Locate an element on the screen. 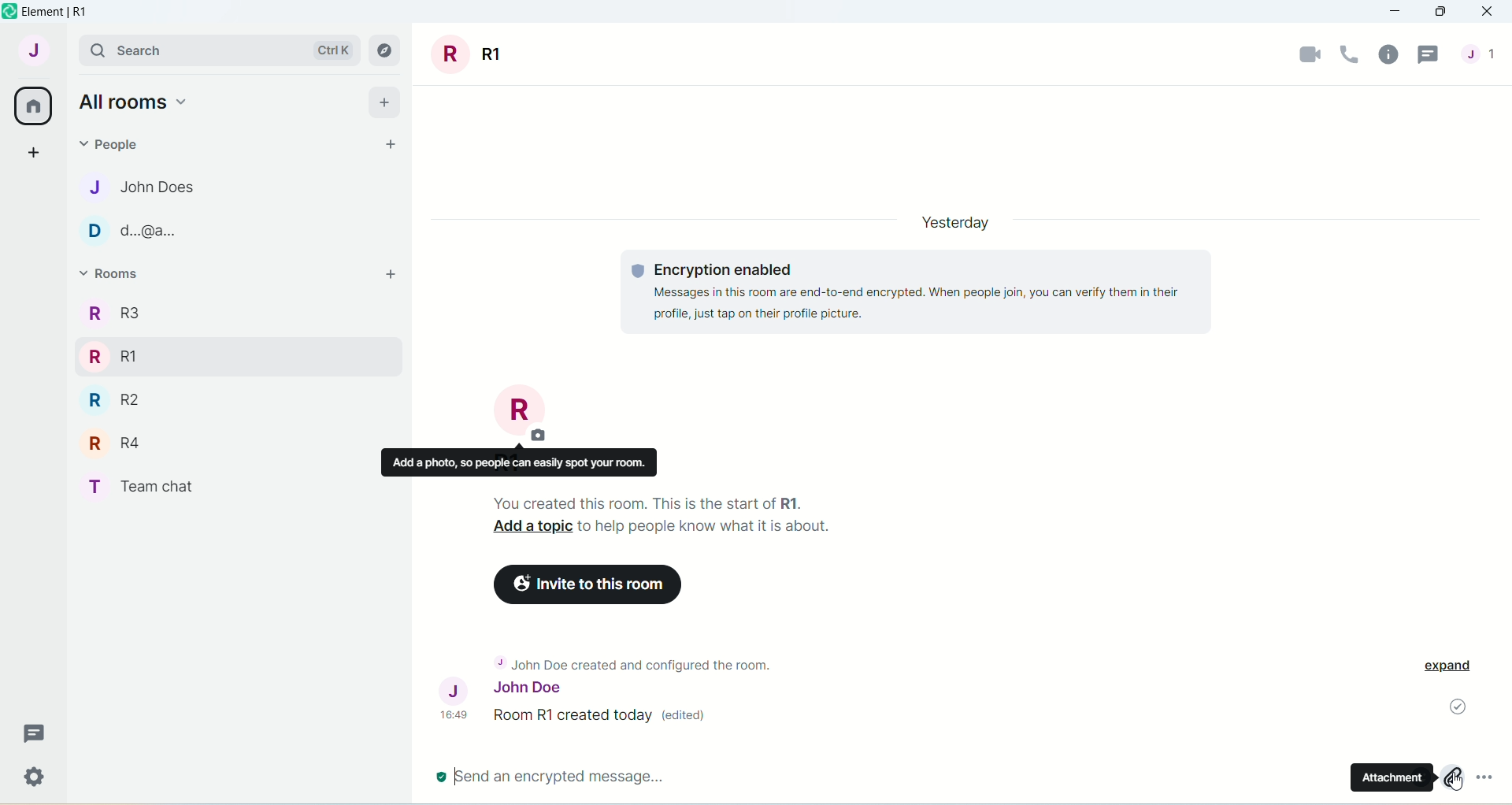  expand is located at coordinates (1454, 668).